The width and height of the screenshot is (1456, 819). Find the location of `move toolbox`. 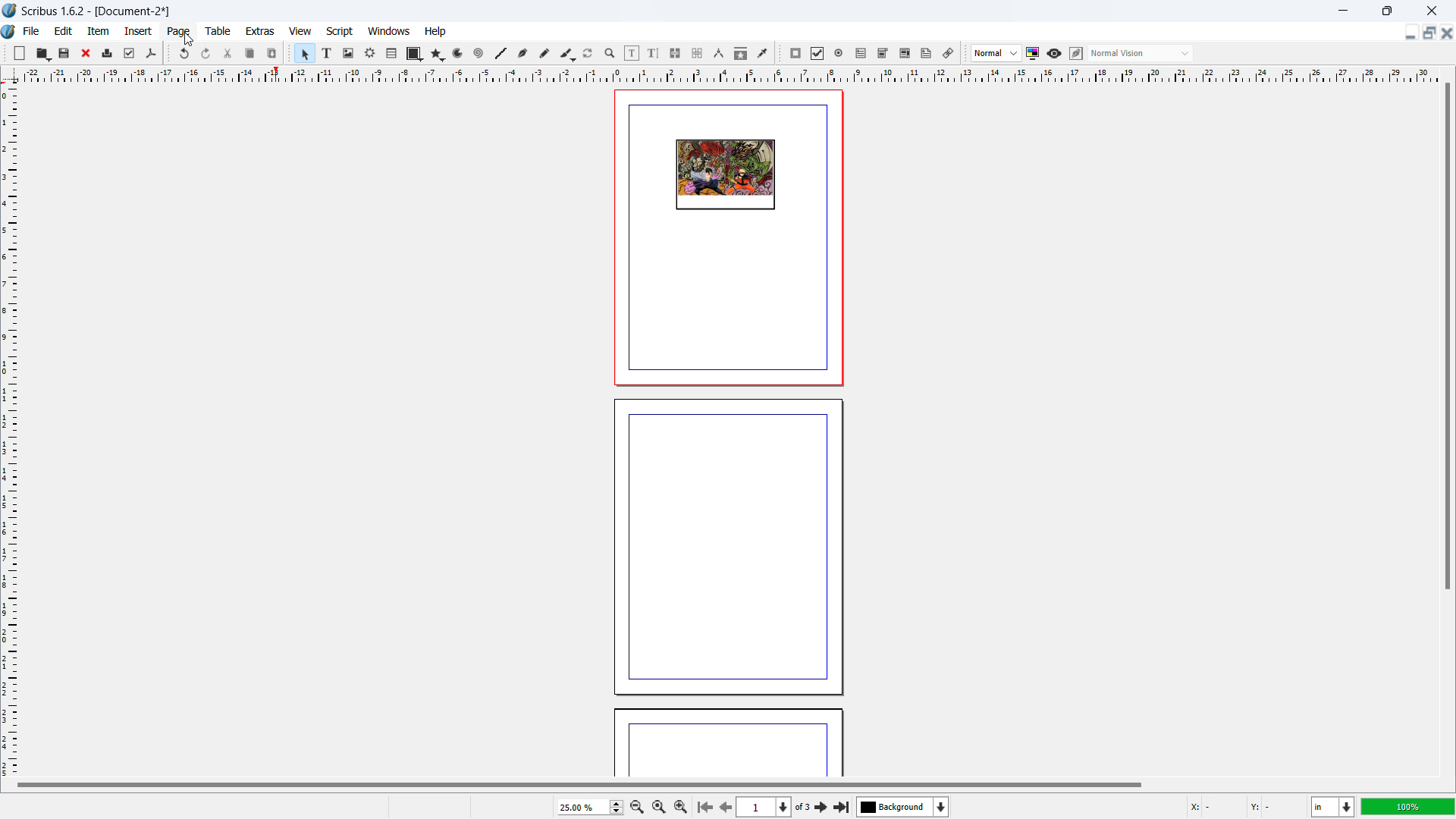

move toolbox is located at coordinates (168, 52).